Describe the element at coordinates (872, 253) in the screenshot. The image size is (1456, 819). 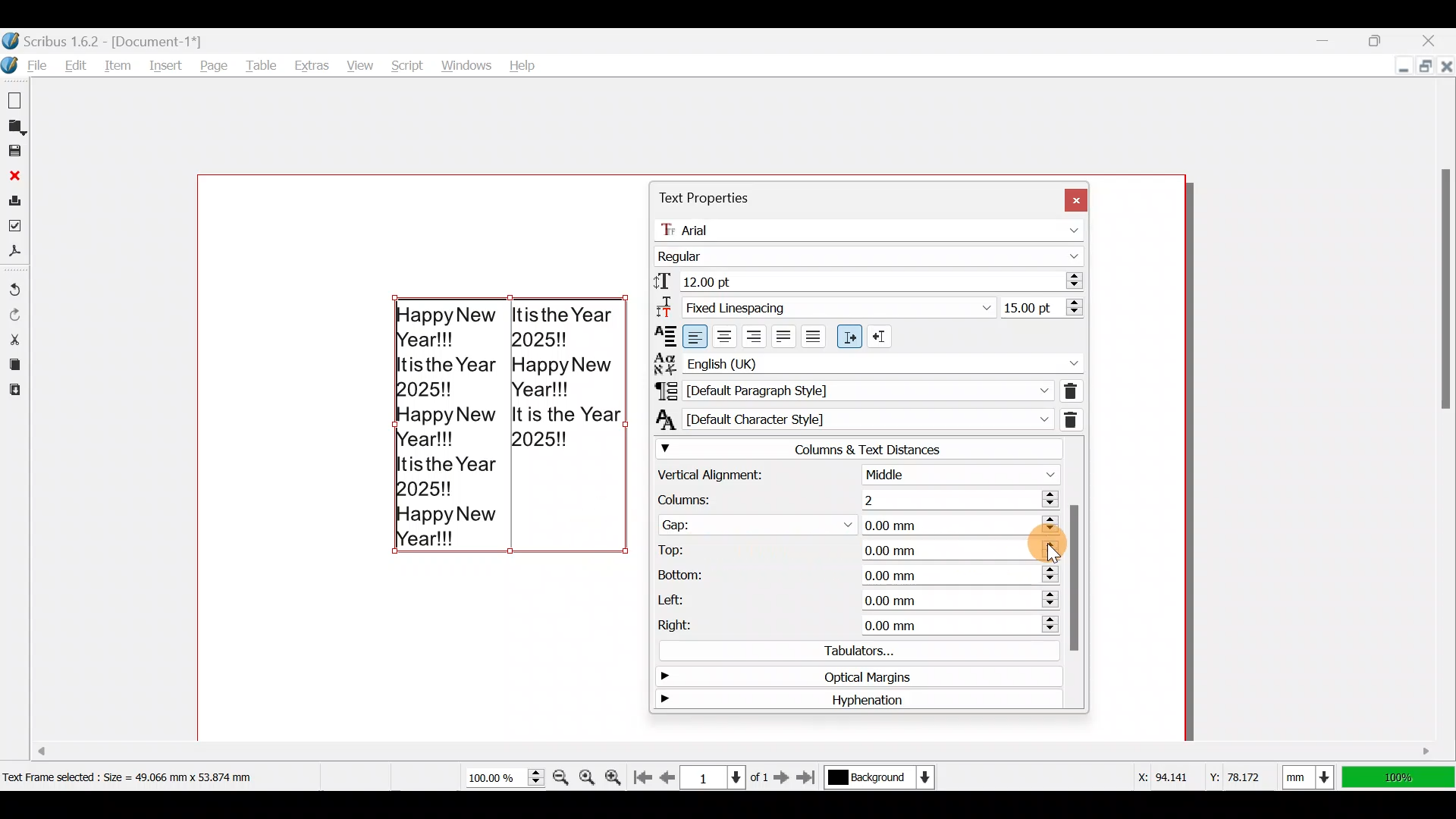
I see `Font style` at that location.